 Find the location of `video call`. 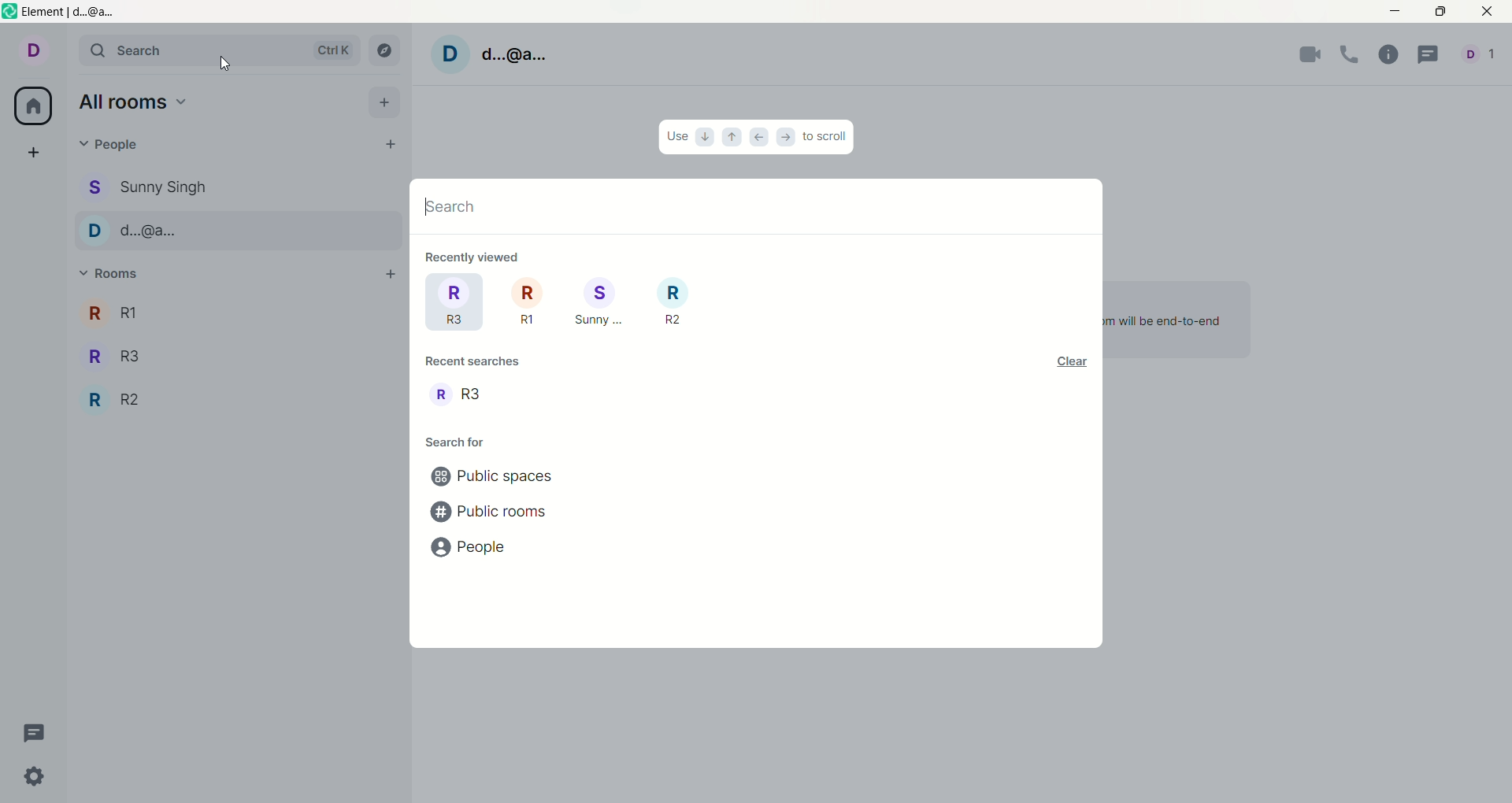

video call is located at coordinates (1306, 57).